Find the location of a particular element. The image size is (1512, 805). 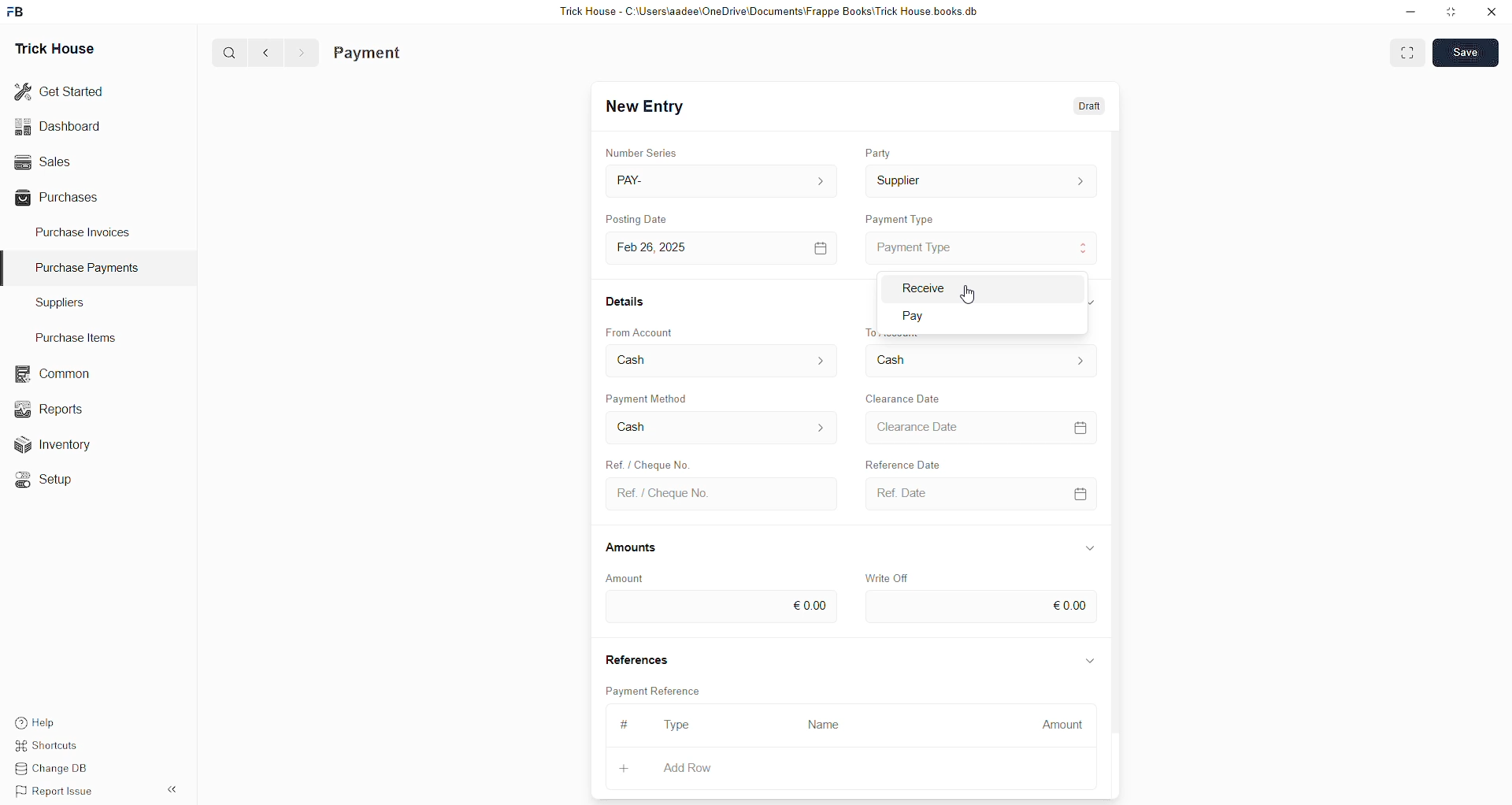

frappebooks logo is located at coordinates (17, 9).